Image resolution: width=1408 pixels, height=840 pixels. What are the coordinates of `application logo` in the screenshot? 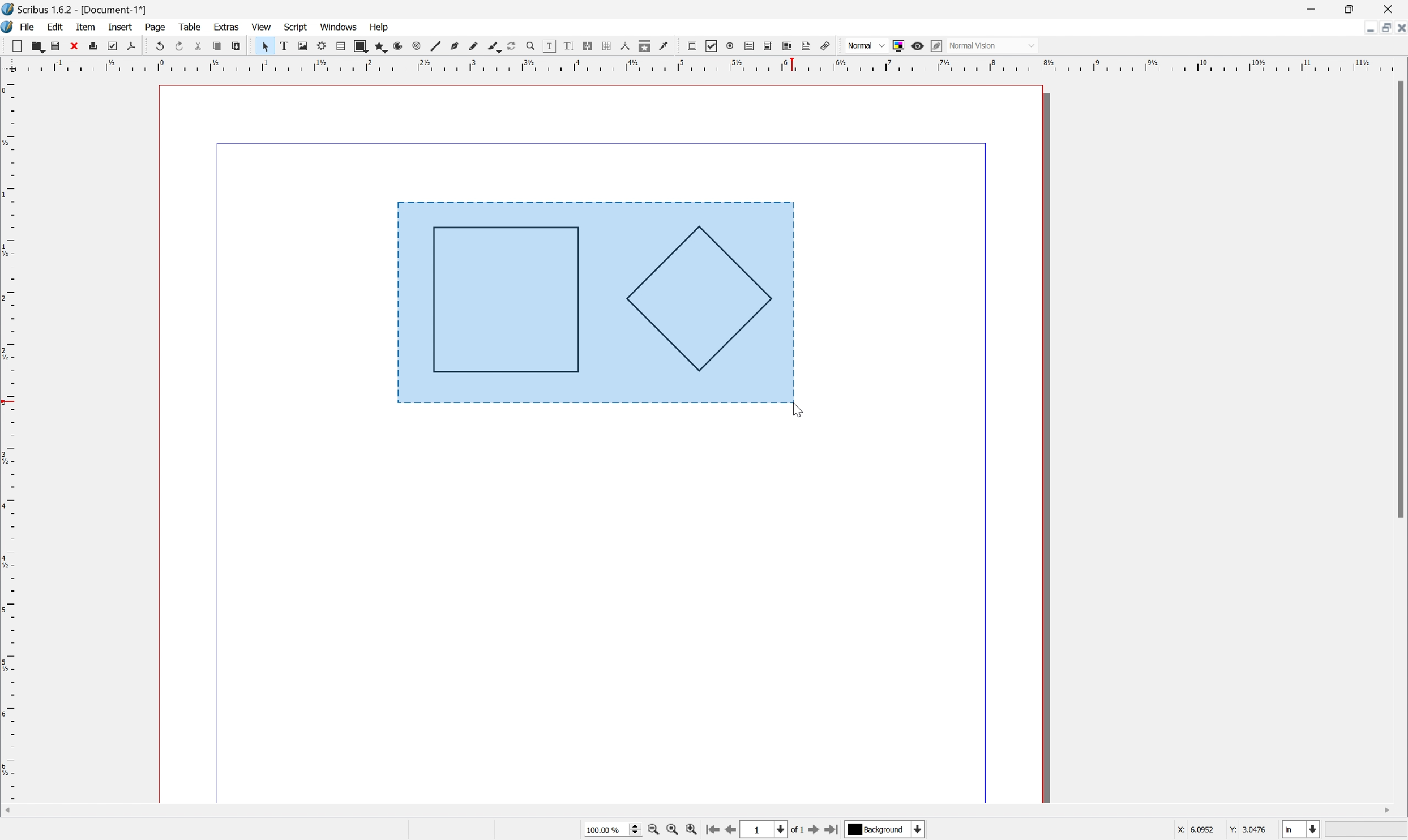 It's located at (9, 26).